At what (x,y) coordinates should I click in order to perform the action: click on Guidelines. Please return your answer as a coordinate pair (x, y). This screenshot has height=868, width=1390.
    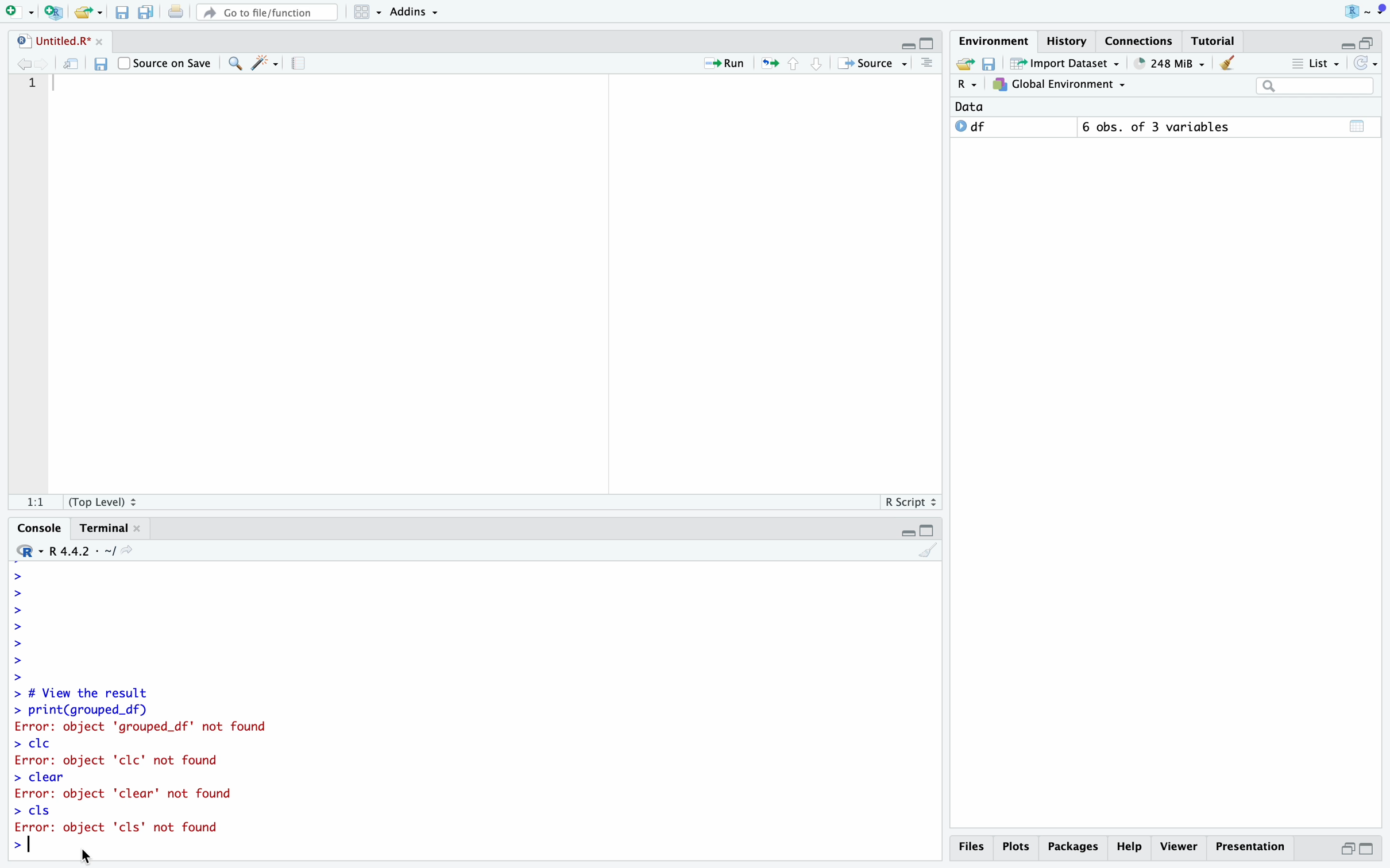
    Looking at the image, I should click on (302, 64).